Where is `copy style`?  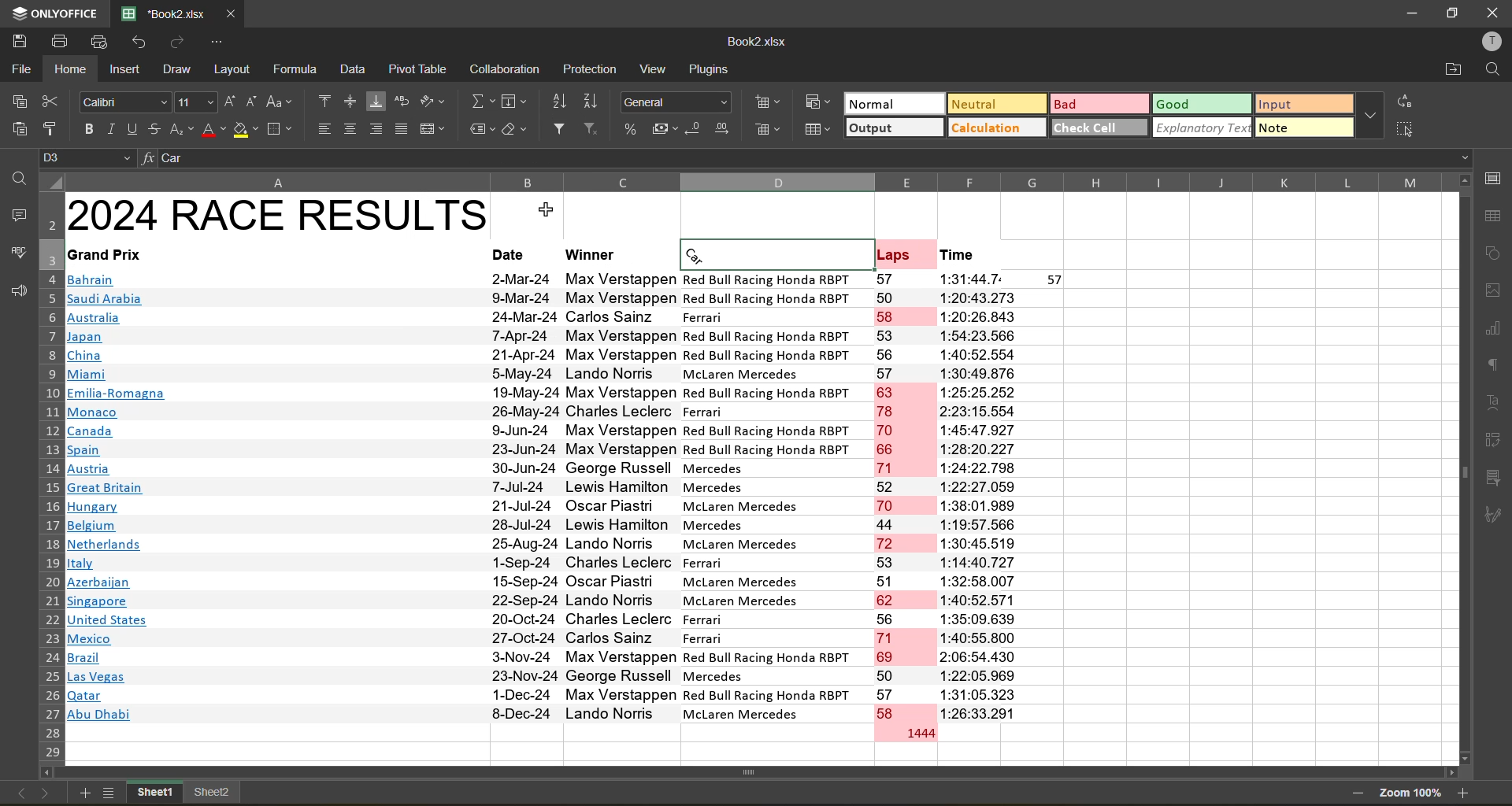
copy style is located at coordinates (52, 128).